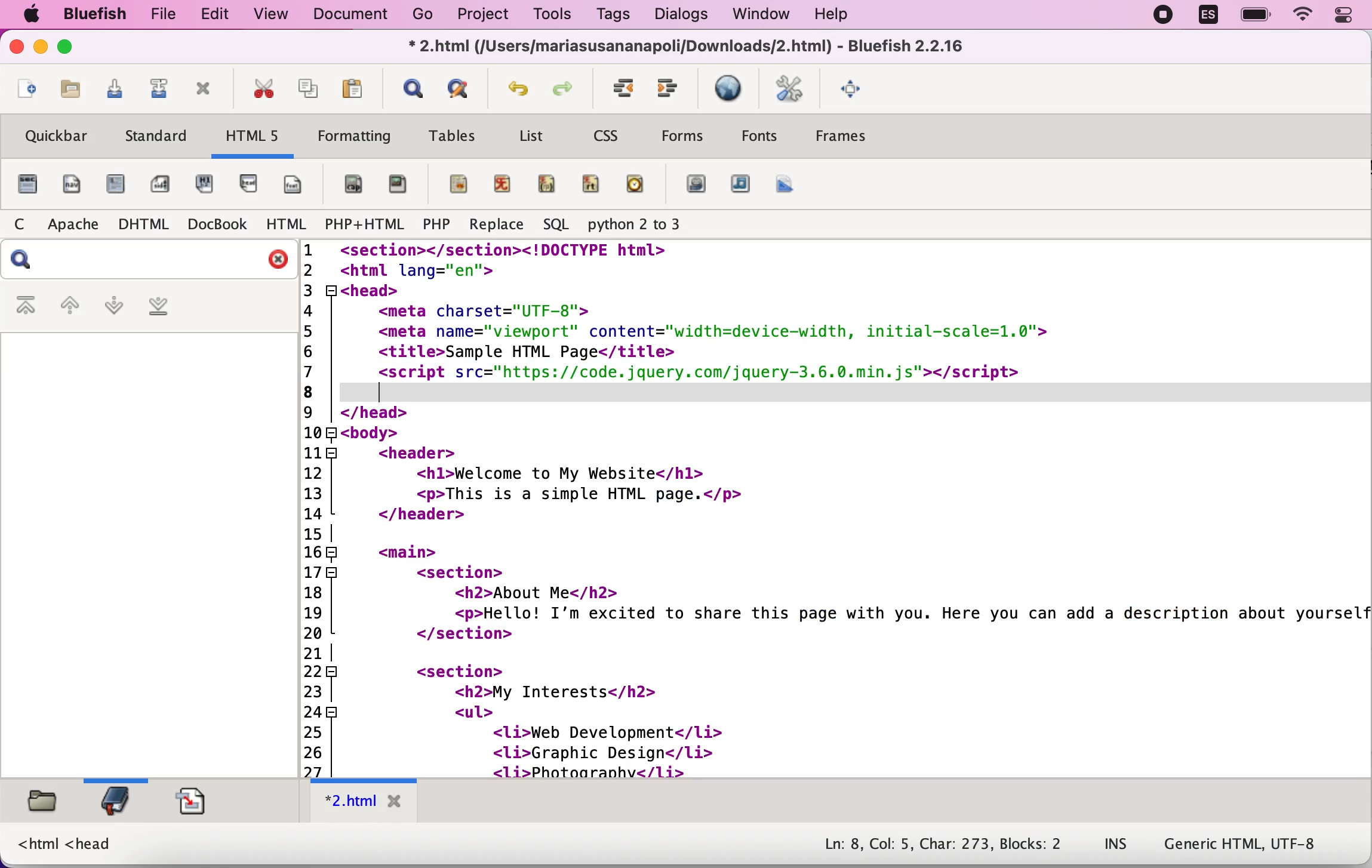  What do you see at coordinates (859, 89) in the screenshot?
I see `fullscreen` at bounding box center [859, 89].